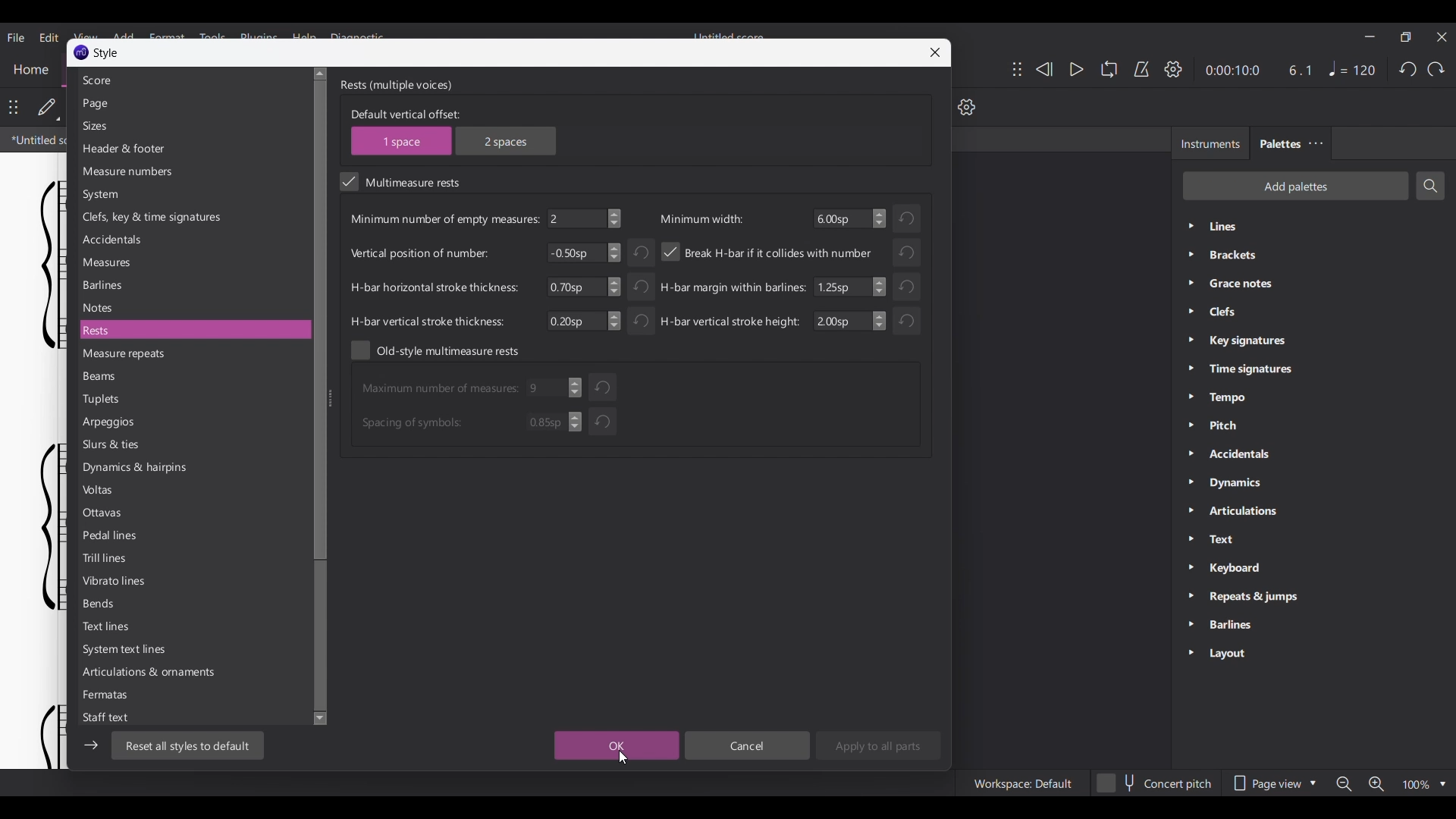 The width and height of the screenshot is (1456, 819). Describe the element at coordinates (1352, 68) in the screenshot. I see `Tempo` at that location.